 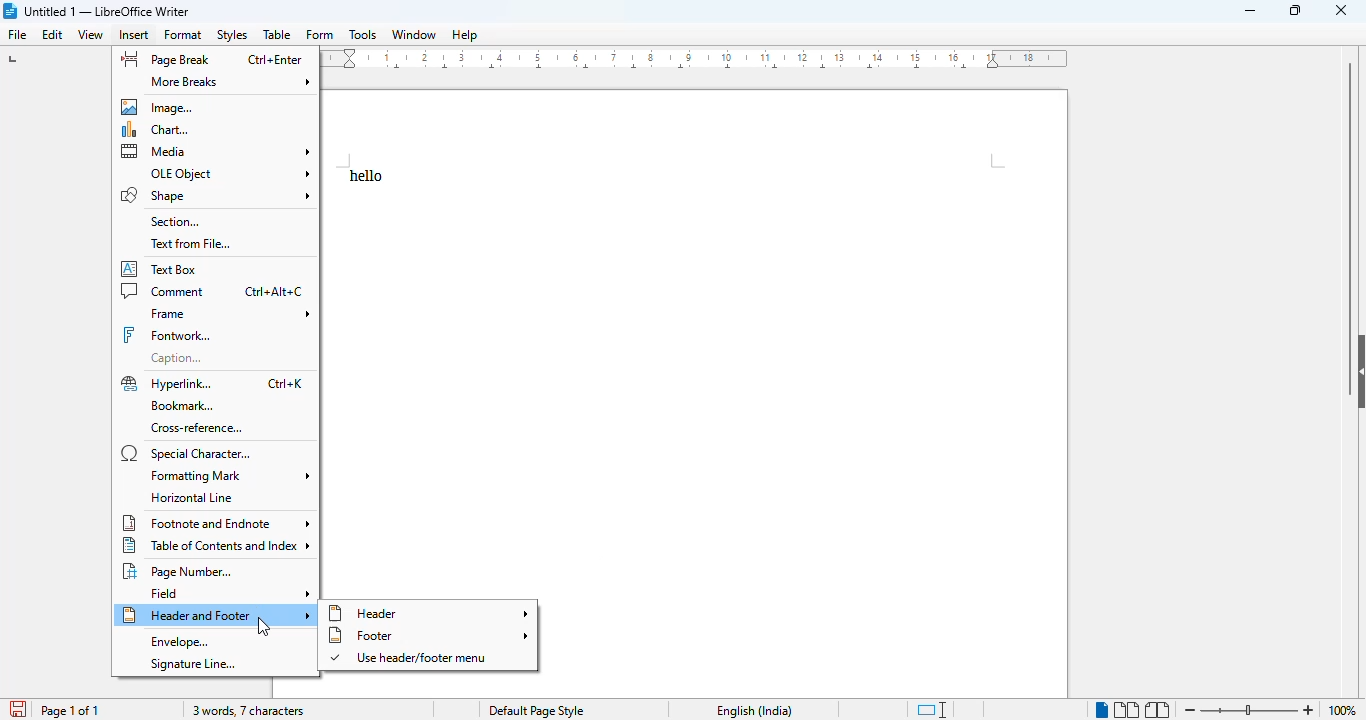 What do you see at coordinates (536, 710) in the screenshot?
I see `page style` at bounding box center [536, 710].